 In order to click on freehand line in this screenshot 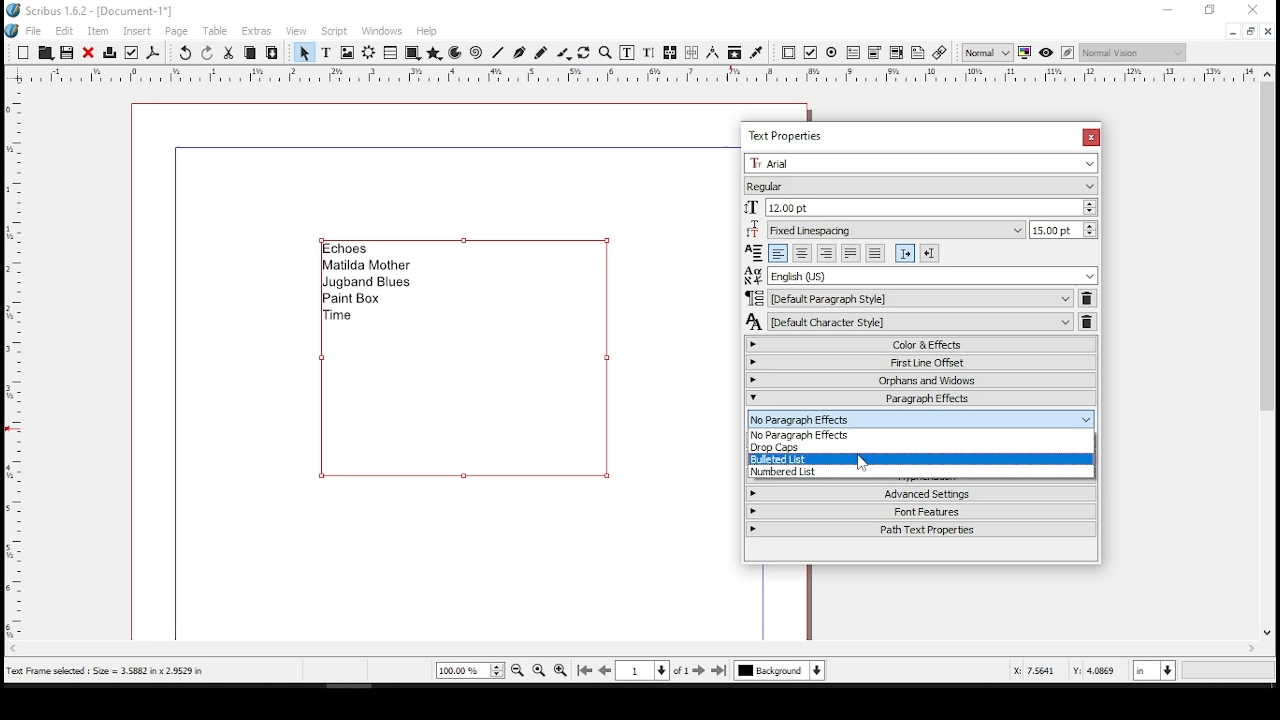, I will do `click(540, 52)`.